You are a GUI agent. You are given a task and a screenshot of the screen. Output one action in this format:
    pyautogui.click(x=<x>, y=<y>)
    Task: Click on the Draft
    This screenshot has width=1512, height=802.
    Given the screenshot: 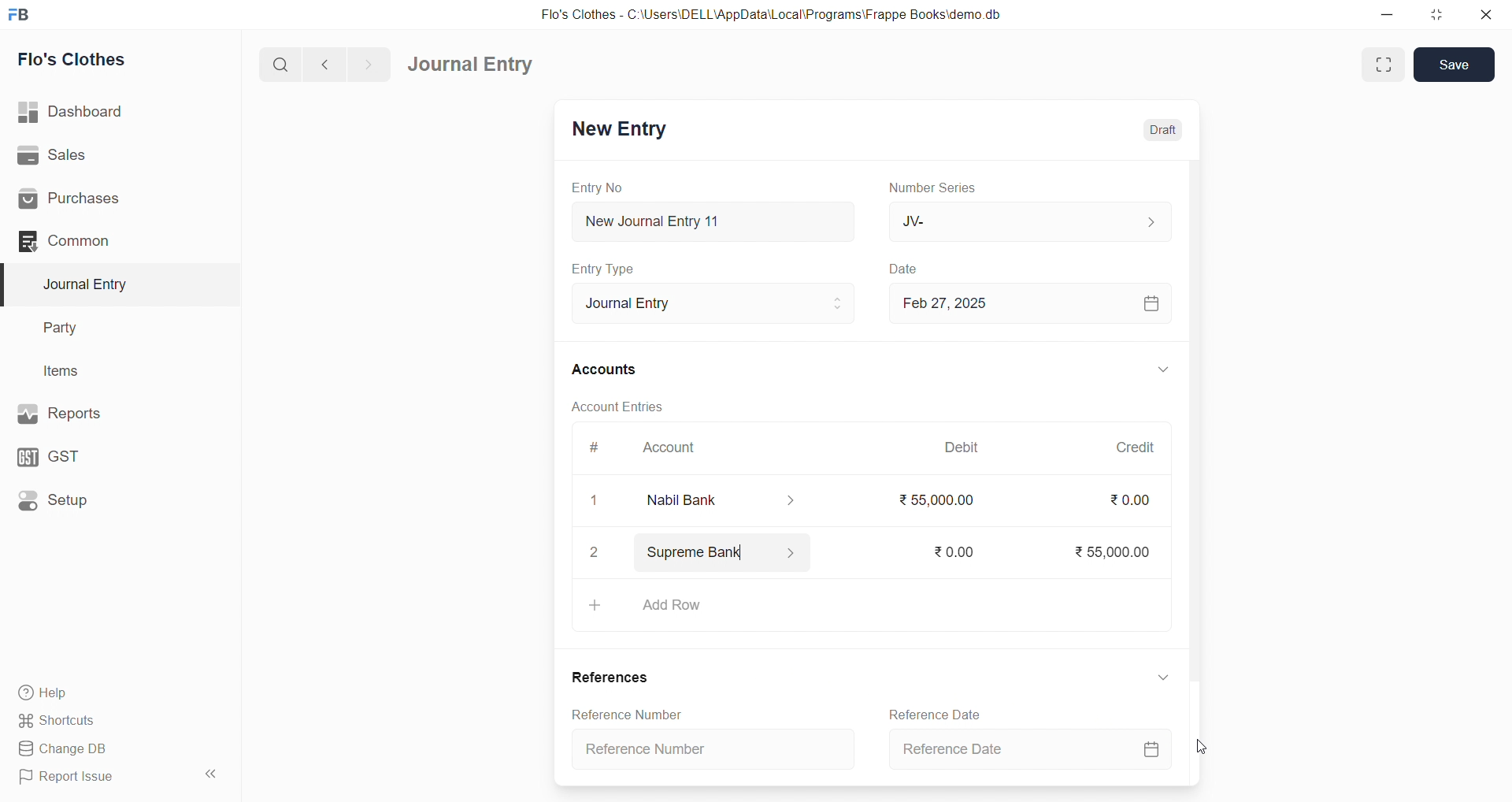 What is the action you would take?
    pyautogui.click(x=1164, y=129)
    